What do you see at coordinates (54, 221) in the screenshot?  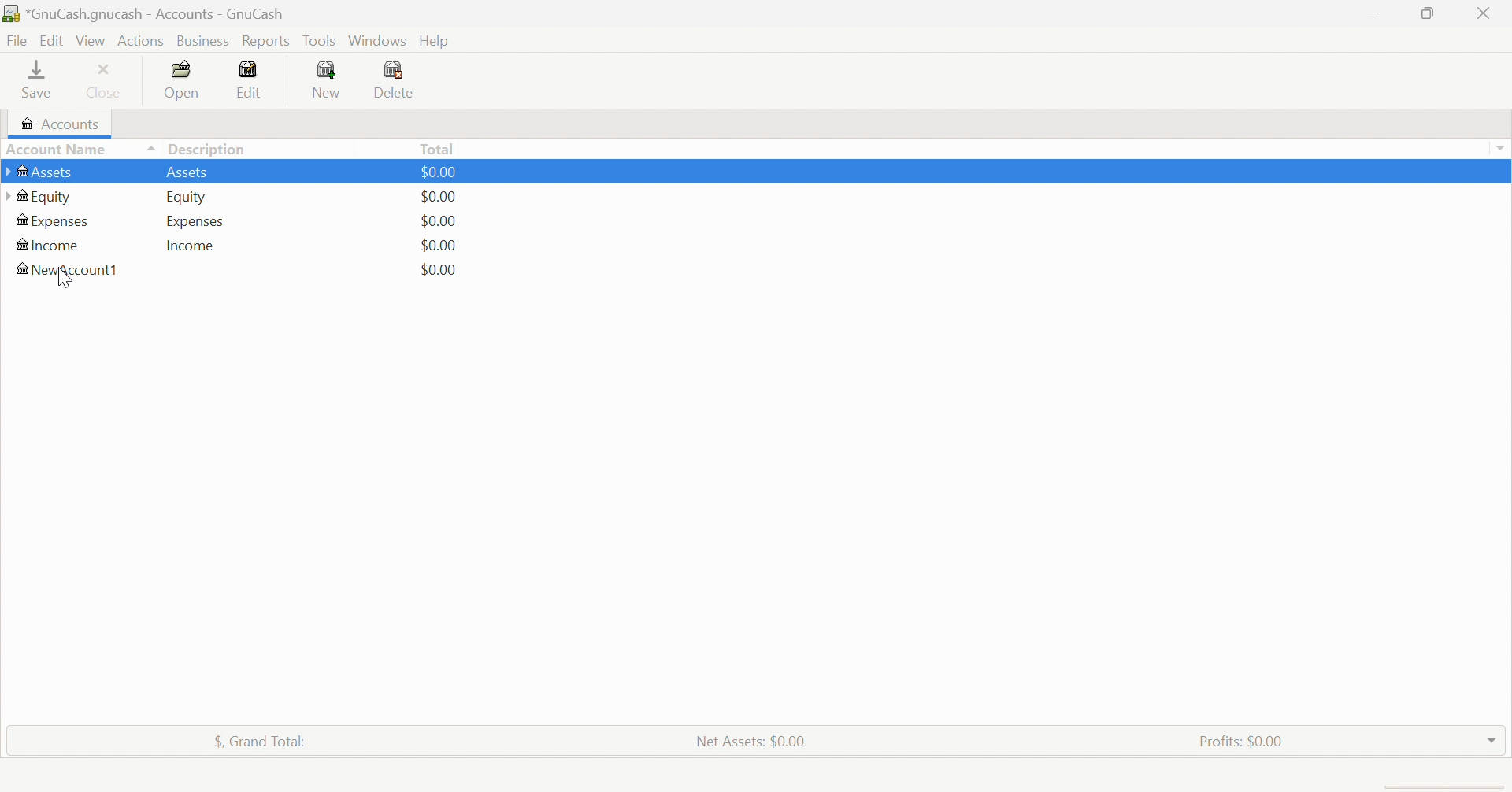 I see `Expenses` at bounding box center [54, 221].